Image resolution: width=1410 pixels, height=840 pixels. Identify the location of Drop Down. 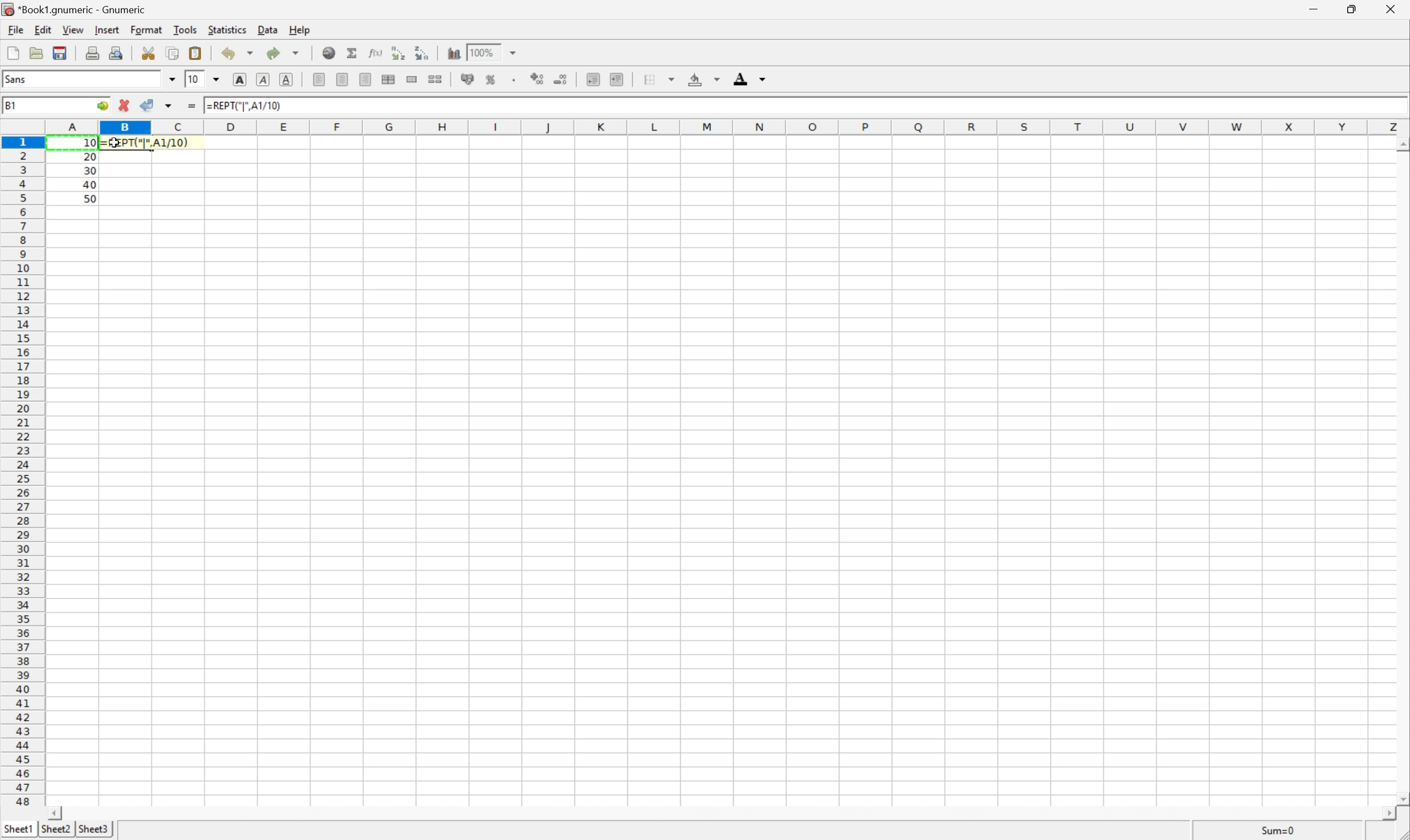
(215, 80).